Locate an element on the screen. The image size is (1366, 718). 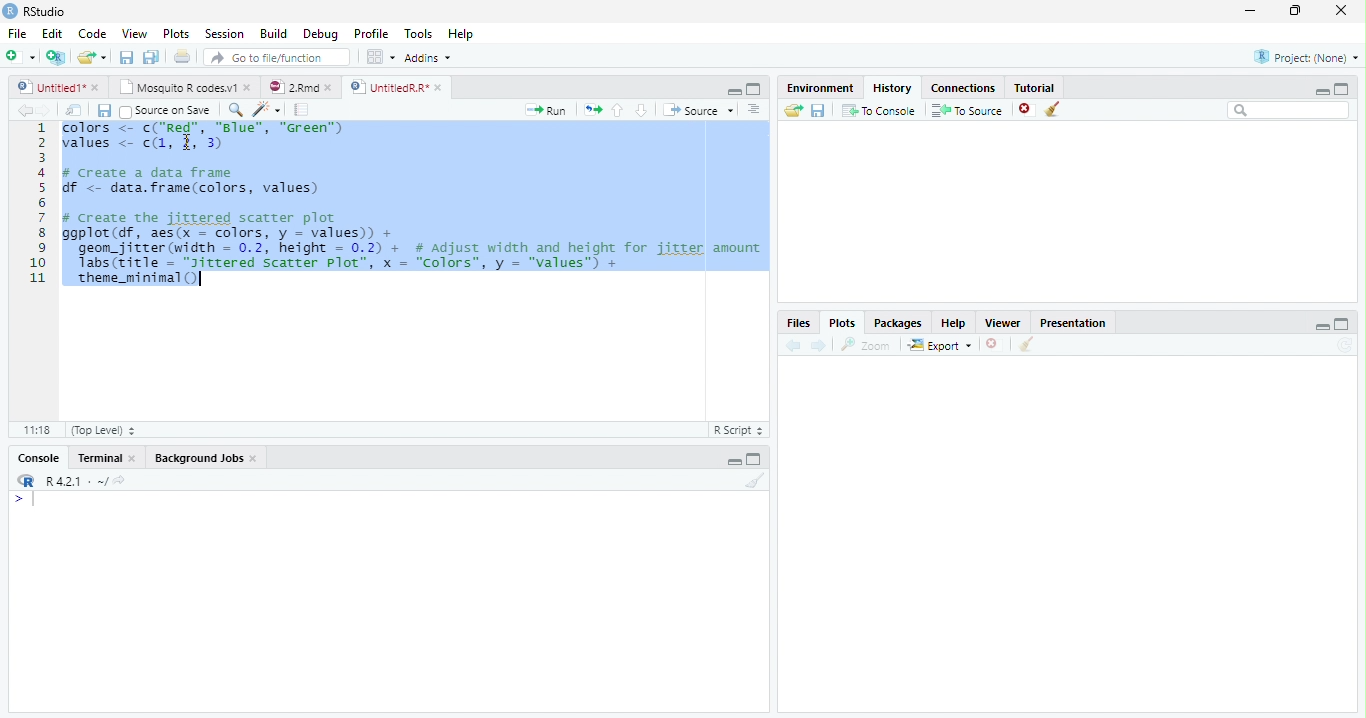
Build is located at coordinates (272, 33).